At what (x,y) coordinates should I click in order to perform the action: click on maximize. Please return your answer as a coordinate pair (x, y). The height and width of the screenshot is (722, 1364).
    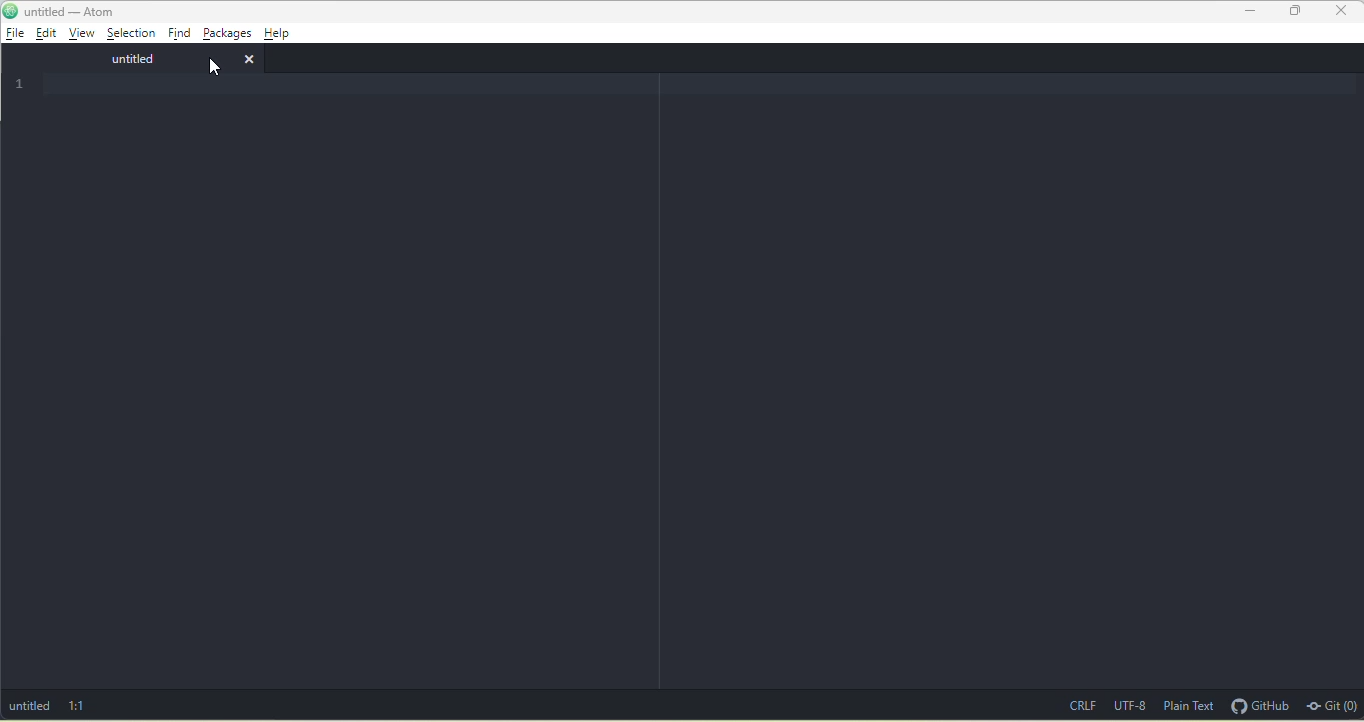
    Looking at the image, I should click on (1293, 11).